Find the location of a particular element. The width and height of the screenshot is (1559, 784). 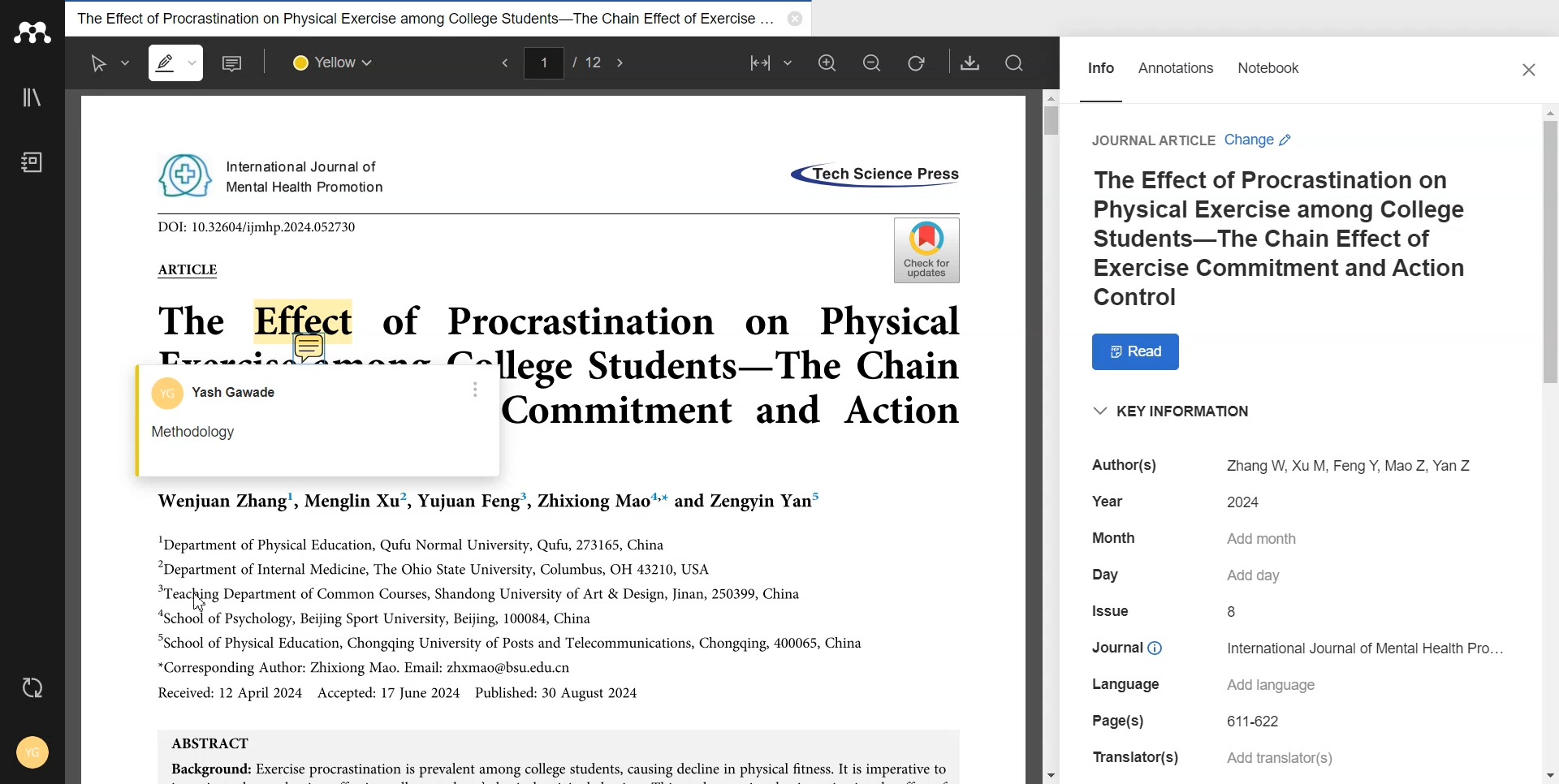

DOI: 10.32604/ijmhp.2024.052730 is located at coordinates (257, 226).